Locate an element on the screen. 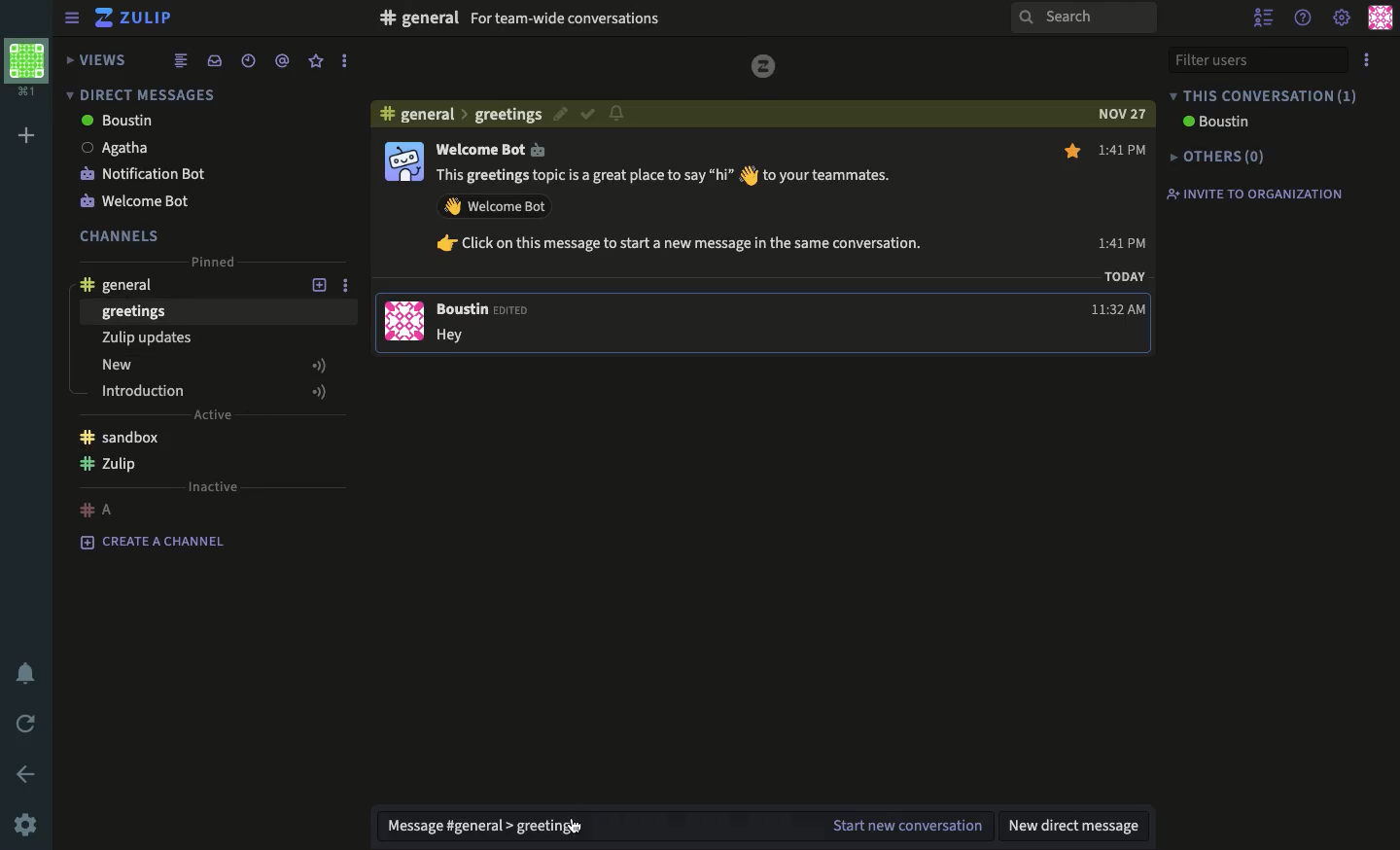 This screenshot has height=850, width=1400. 1:41 PM is located at coordinates (1124, 195).